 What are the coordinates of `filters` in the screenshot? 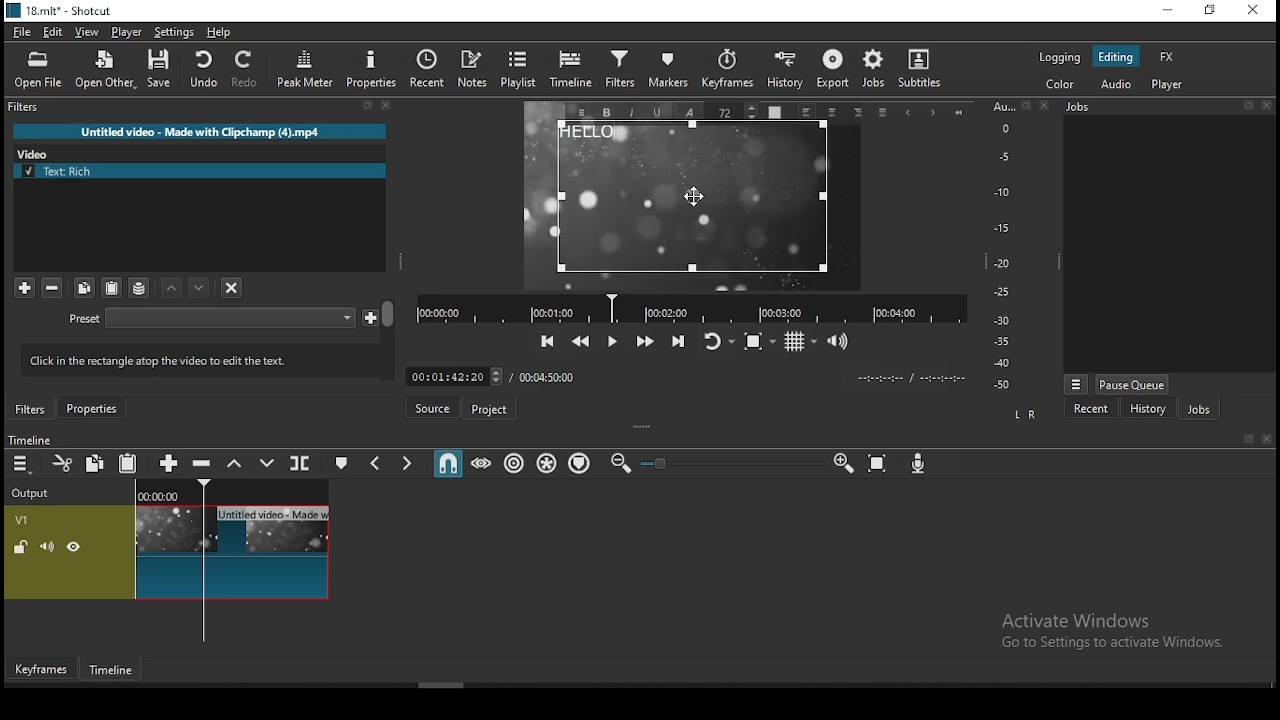 It's located at (619, 72).